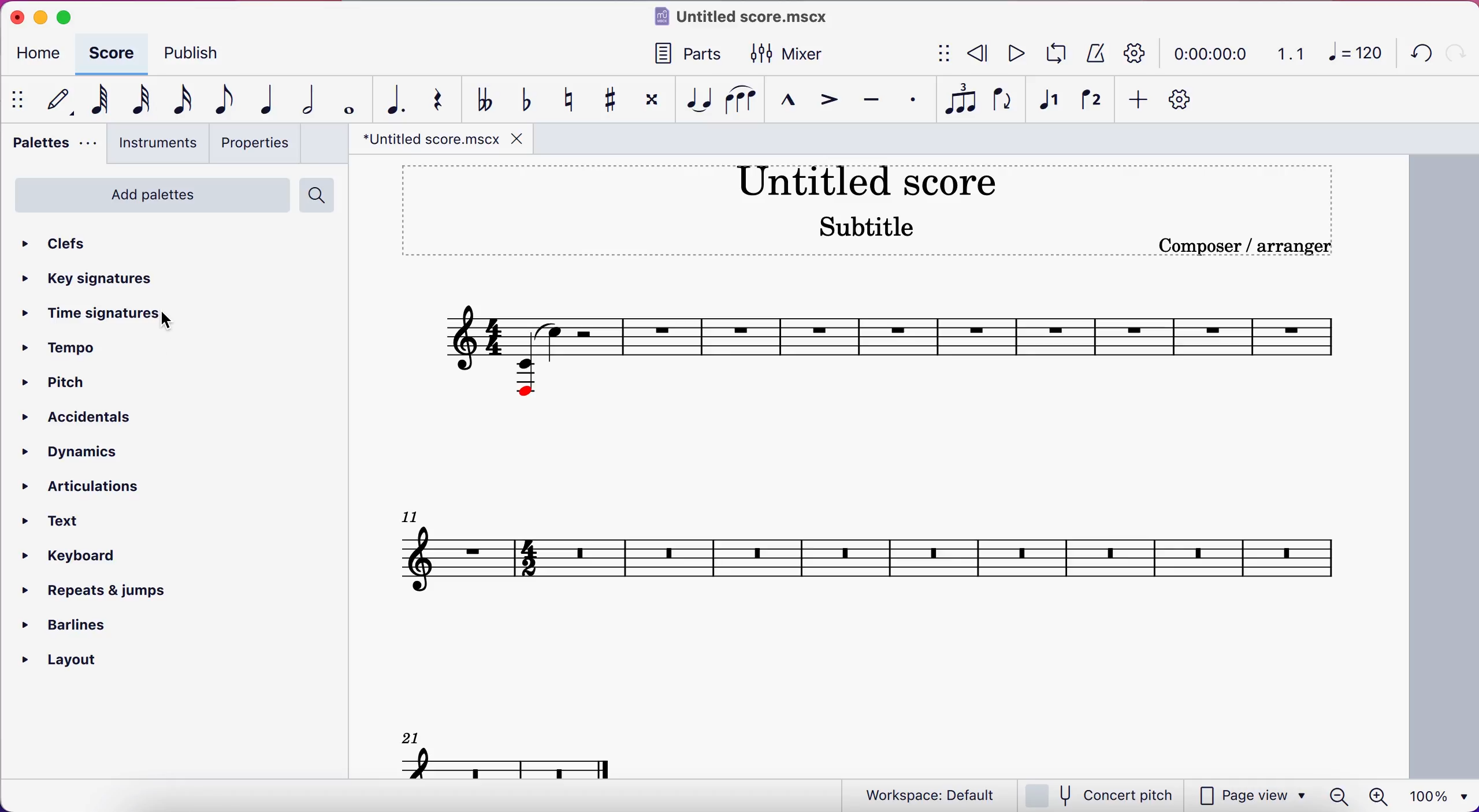 The height and width of the screenshot is (812, 1479). Describe the element at coordinates (20, 100) in the screenshot. I see `show/hide bar` at that location.